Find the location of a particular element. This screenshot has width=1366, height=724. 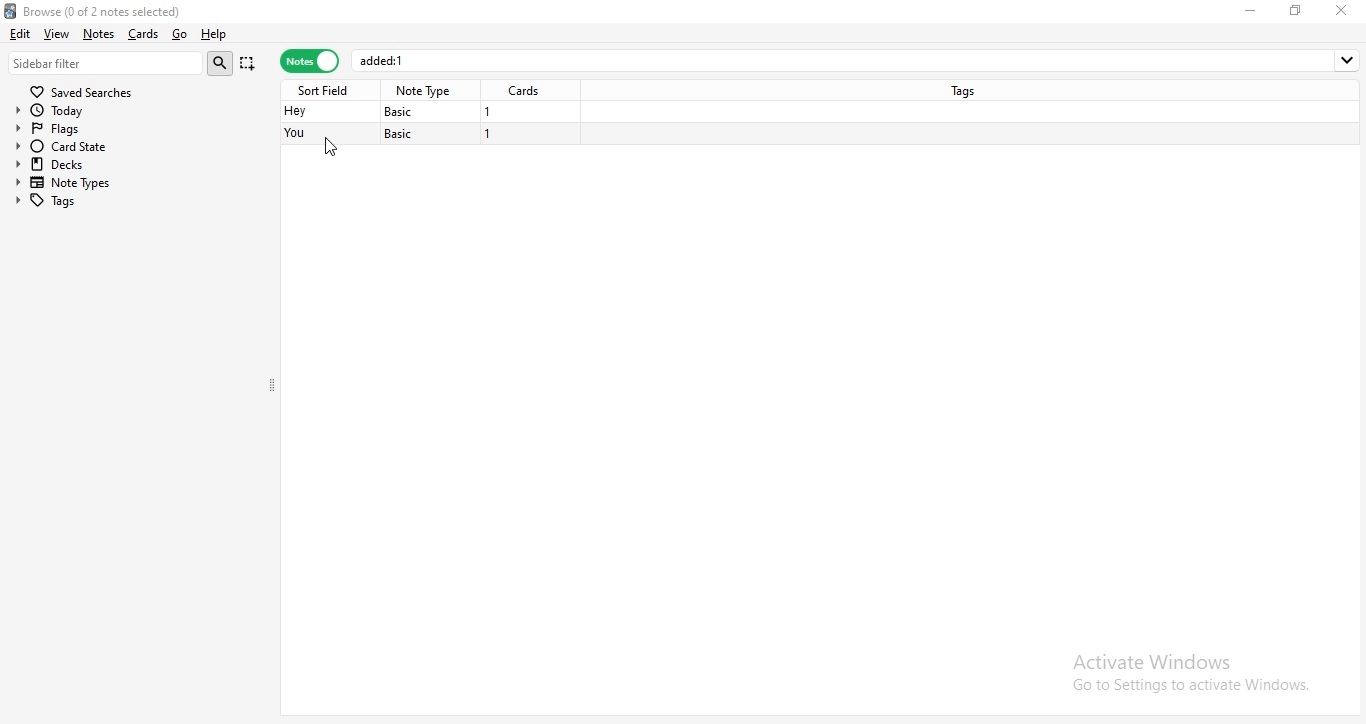

edit is located at coordinates (19, 32).